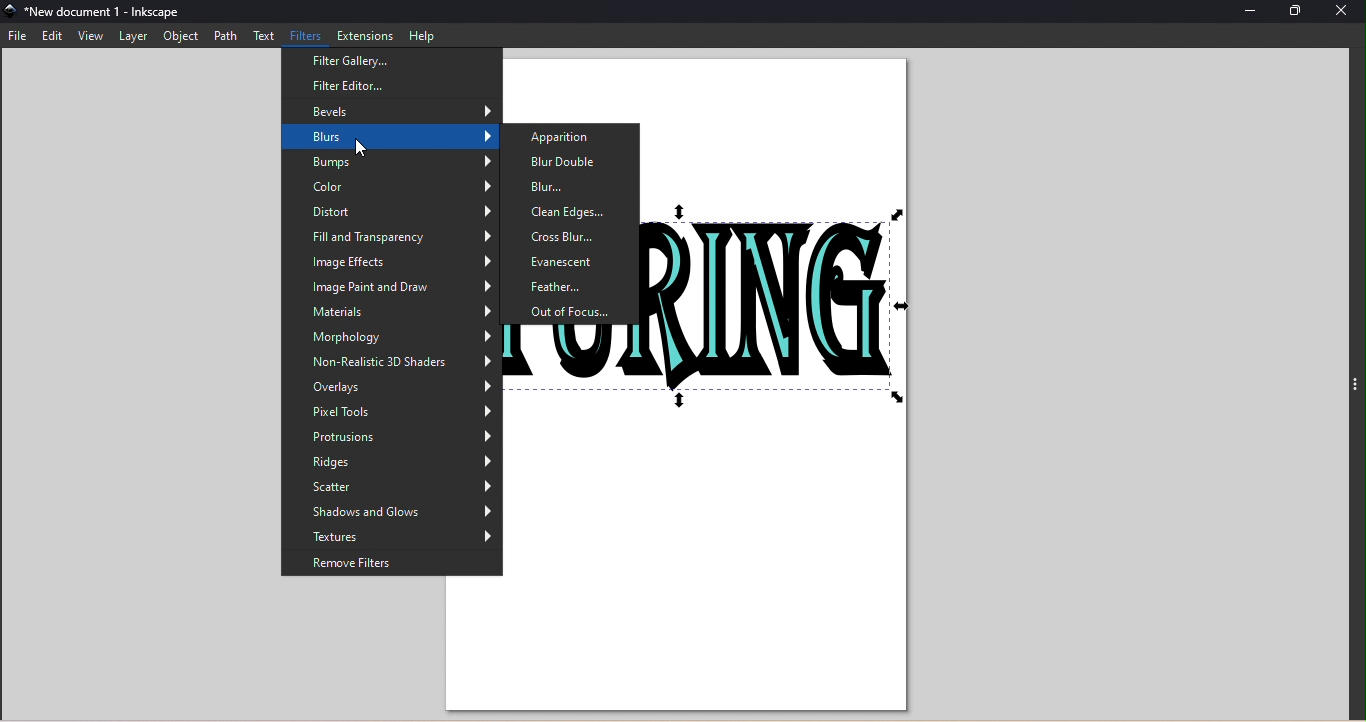 The height and width of the screenshot is (722, 1366). I want to click on Blur, so click(566, 184).